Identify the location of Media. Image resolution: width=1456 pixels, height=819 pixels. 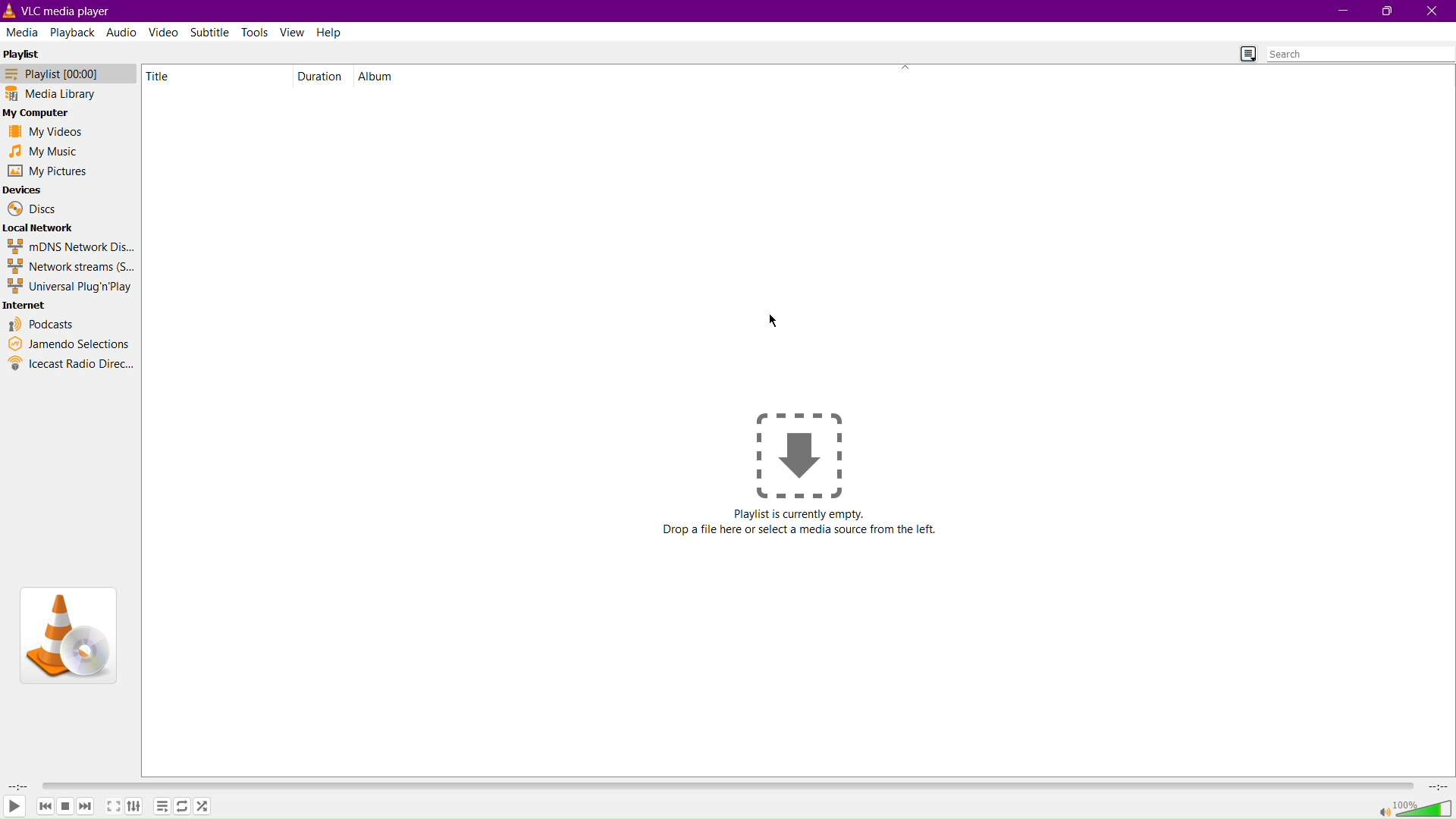
(23, 31).